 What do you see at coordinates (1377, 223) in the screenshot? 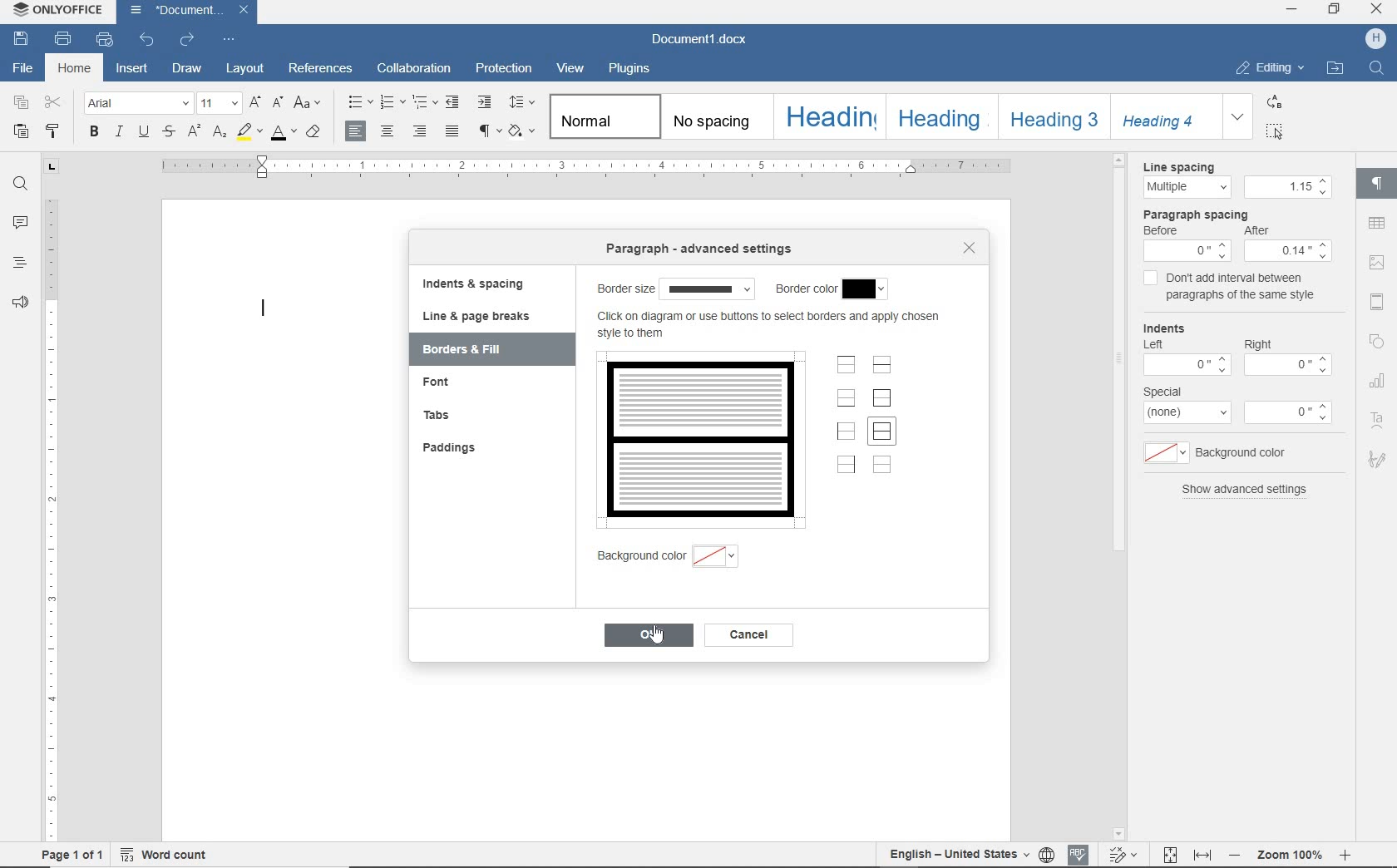
I see `tables` at bounding box center [1377, 223].